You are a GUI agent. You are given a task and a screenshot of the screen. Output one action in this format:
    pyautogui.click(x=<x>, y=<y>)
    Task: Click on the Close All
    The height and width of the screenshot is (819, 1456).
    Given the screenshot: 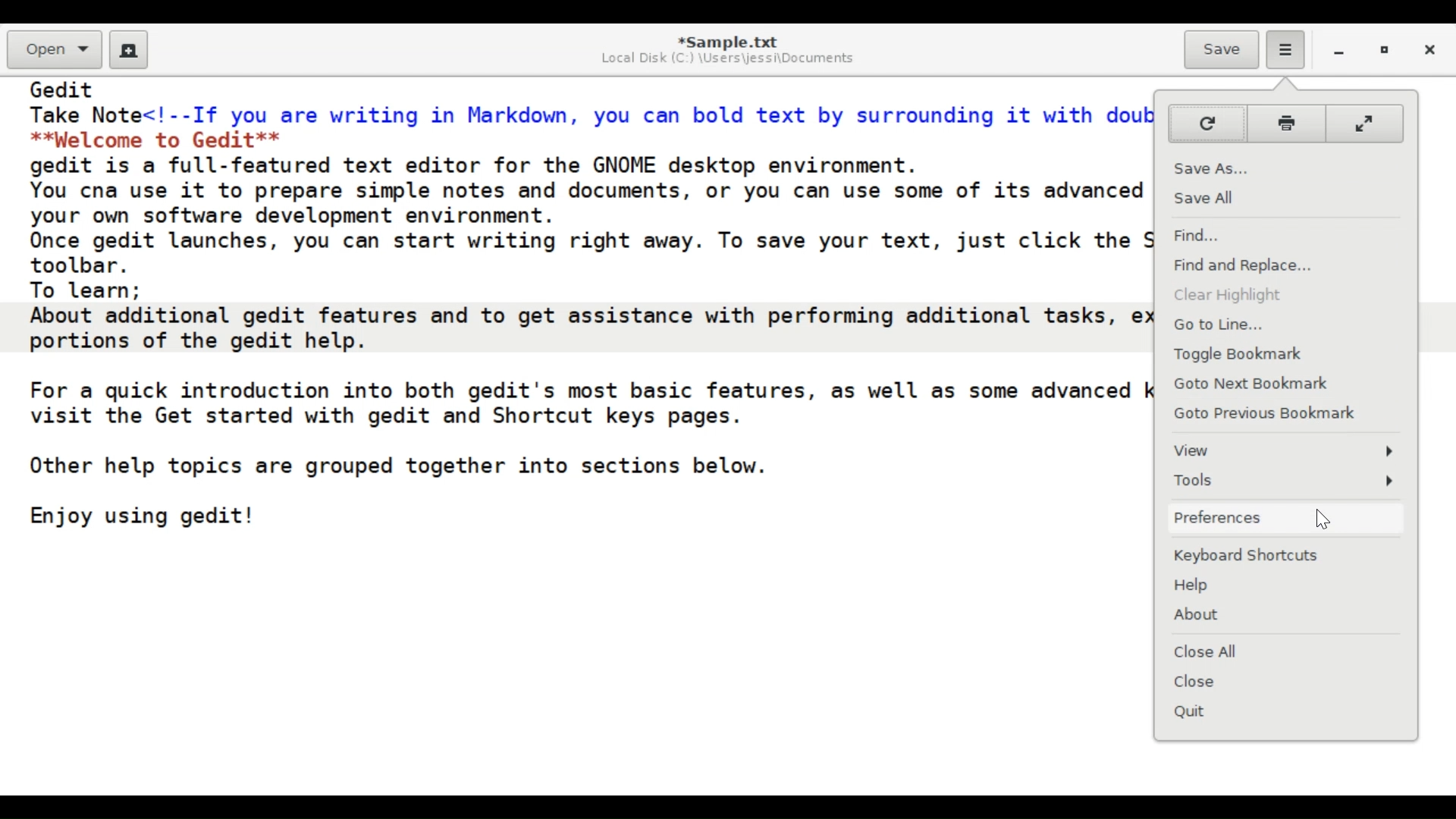 What is the action you would take?
    pyautogui.click(x=1286, y=651)
    